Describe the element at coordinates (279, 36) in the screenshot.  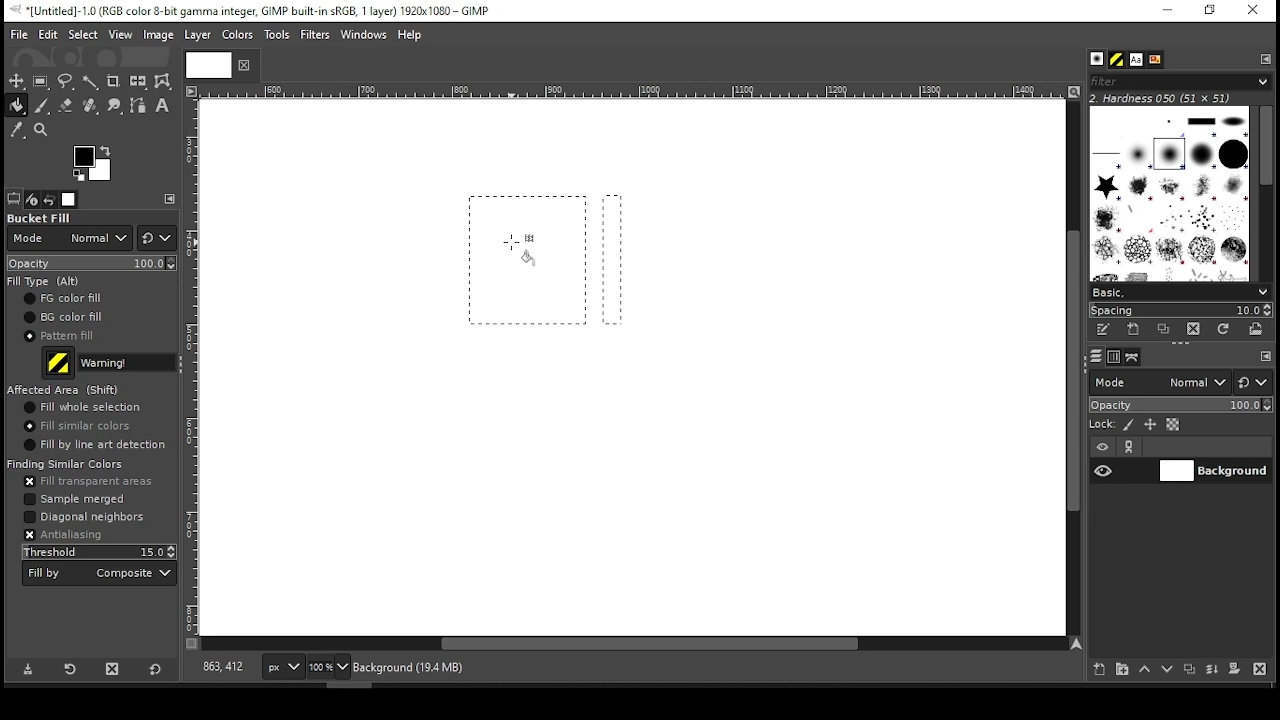
I see `tools` at that location.